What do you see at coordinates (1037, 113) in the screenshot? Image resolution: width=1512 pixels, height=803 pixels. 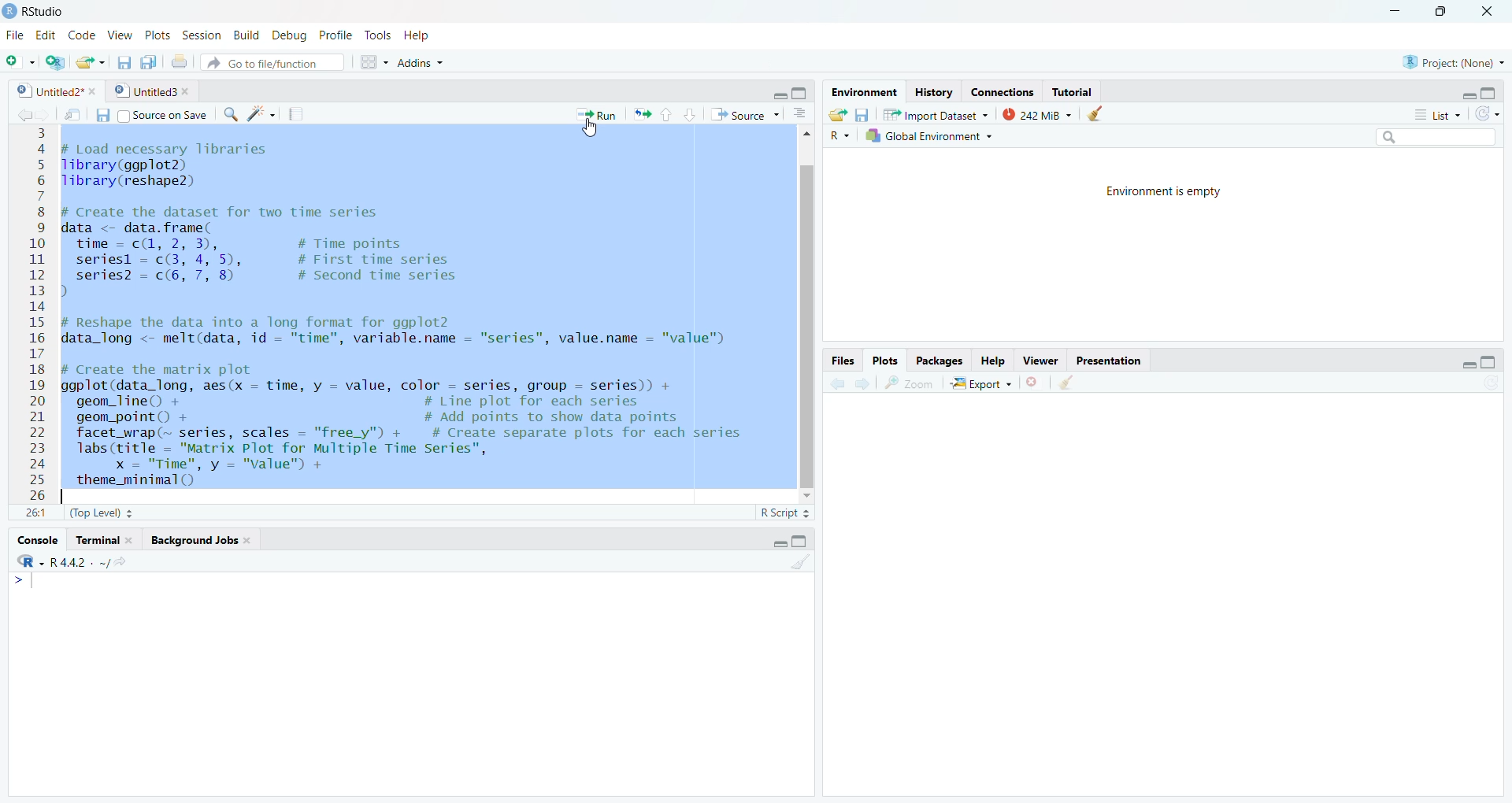 I see `242miB` at bounding box center [1037, 113].